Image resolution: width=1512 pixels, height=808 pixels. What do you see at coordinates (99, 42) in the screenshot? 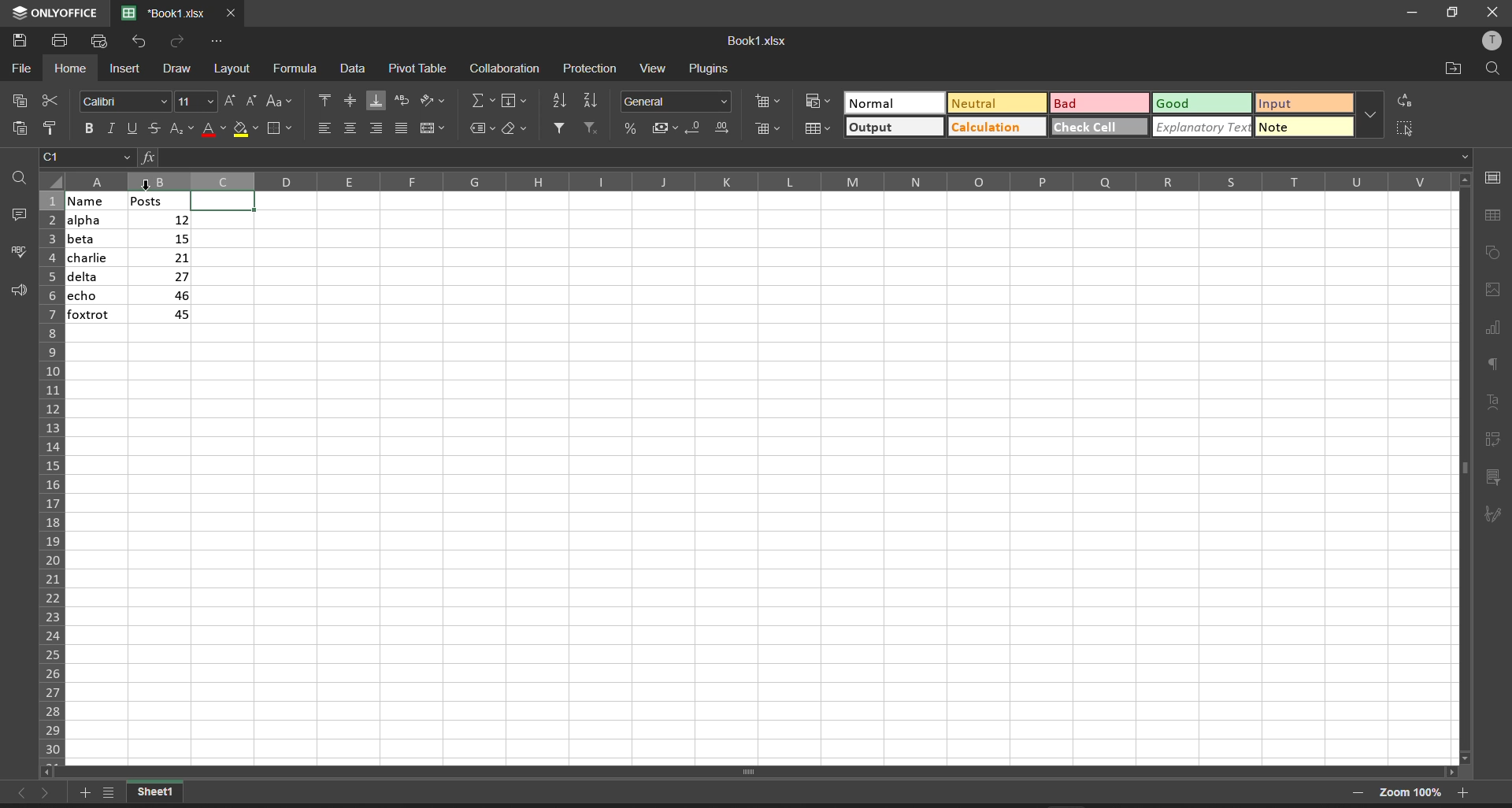
I see `quick print` at bounding box center [99, 42].